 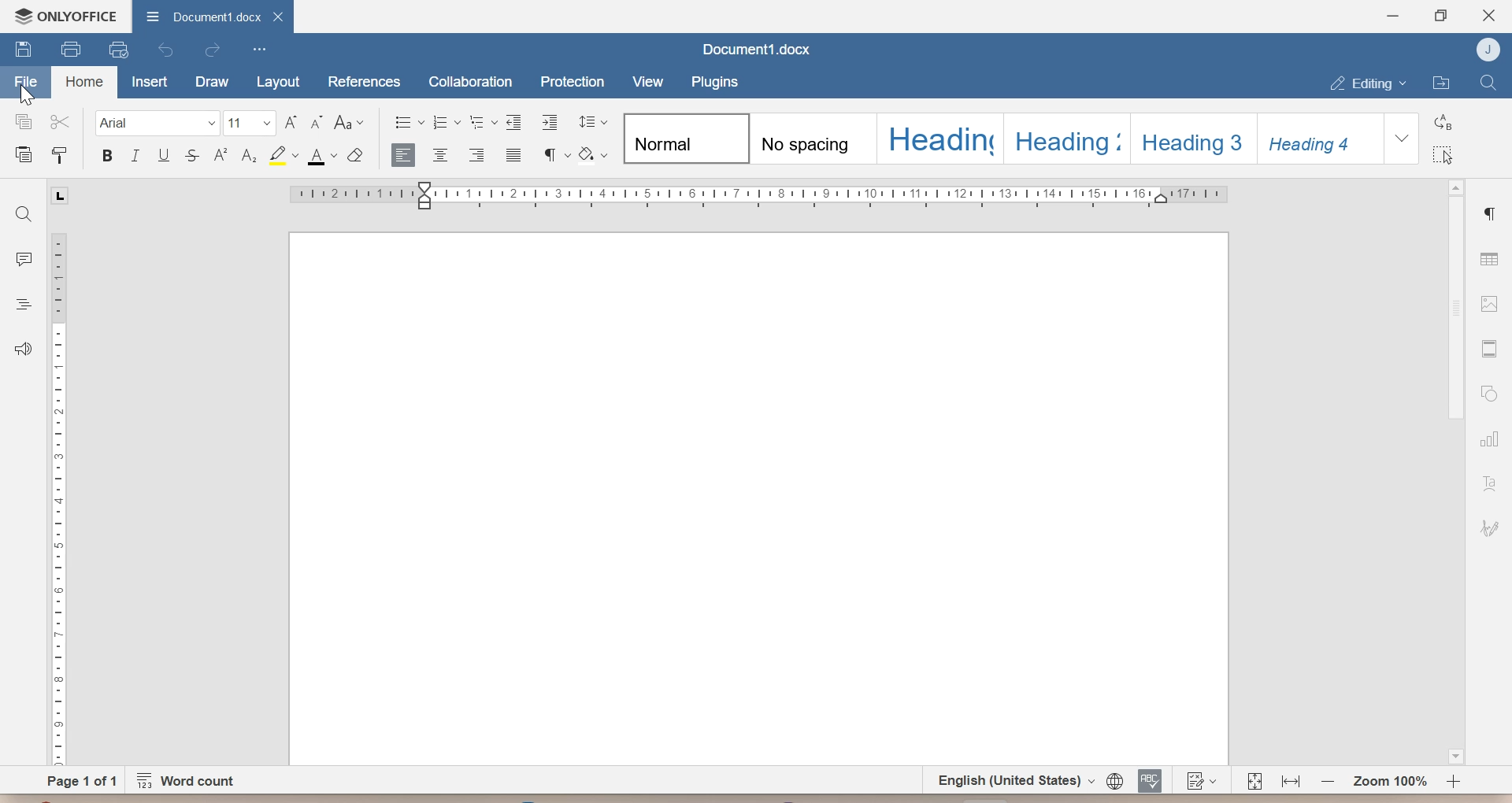 I want to click on Home, so click(x=83, y=83).